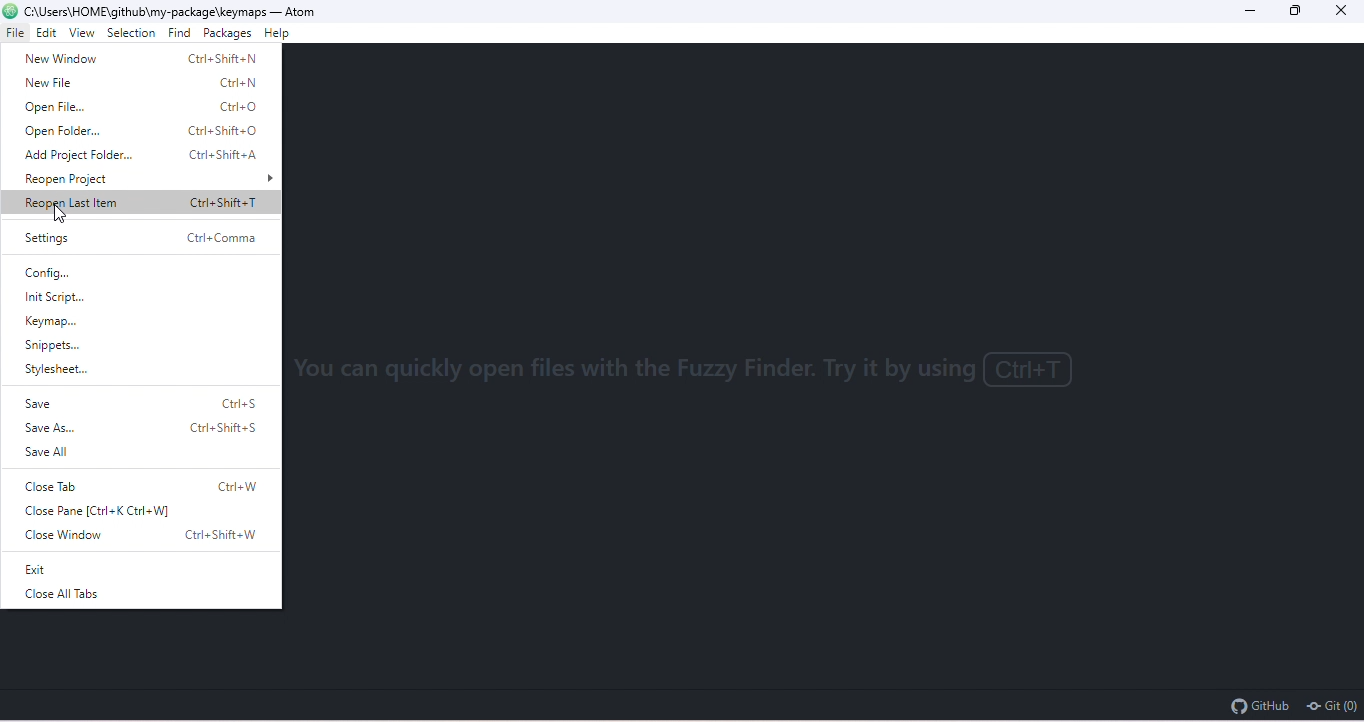 Image resolution: width=1364 pixels, height=722 pixels. Describe the element at coordinates (75, 566) in the screenshot. I see `exit` at that location.